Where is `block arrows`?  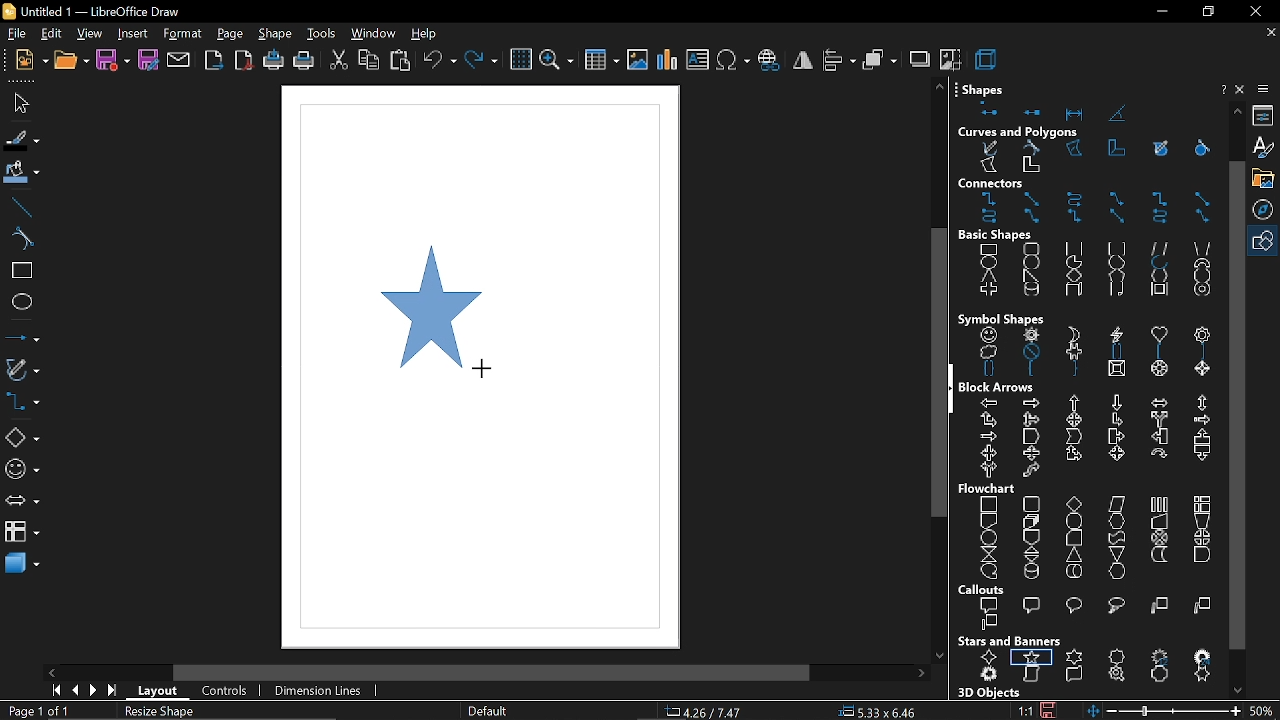 block arrows is located at coordinates (1094, 434).